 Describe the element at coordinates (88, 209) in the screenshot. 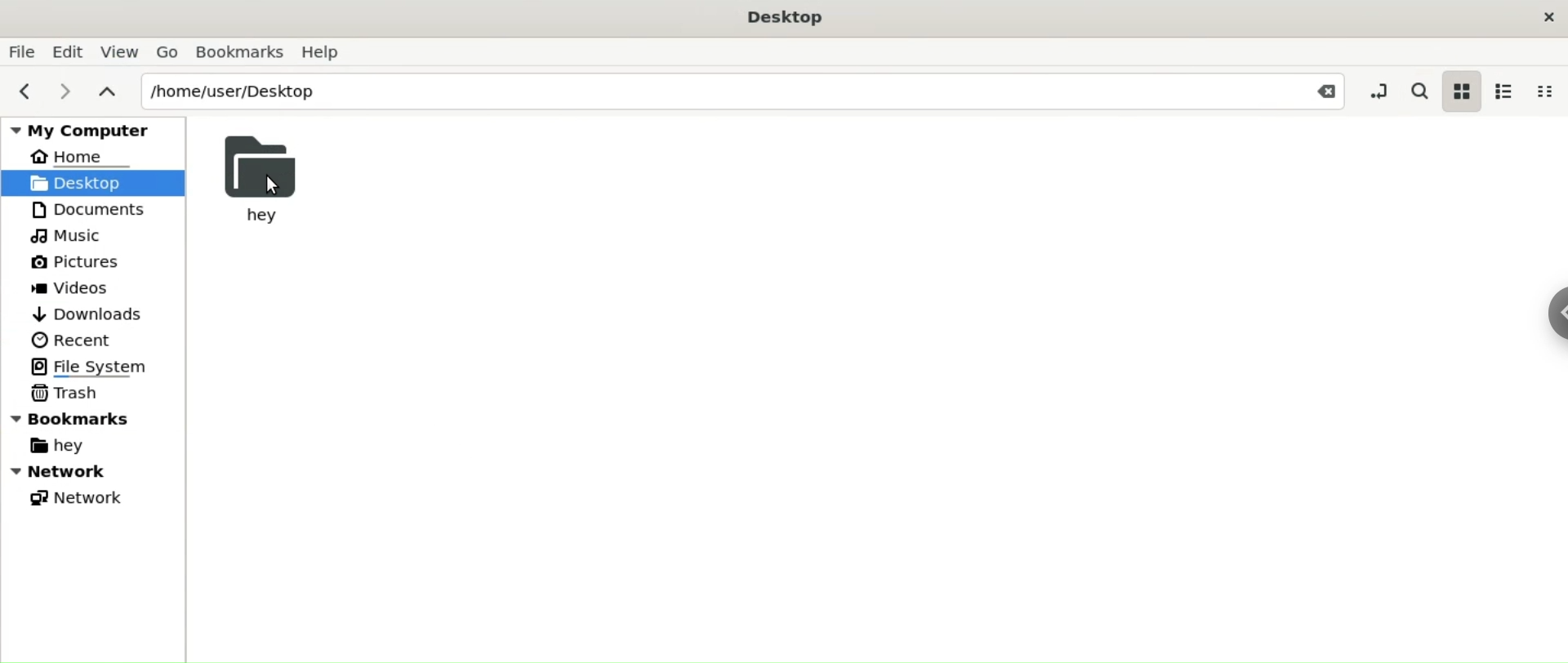

I see `Documents` at that location.